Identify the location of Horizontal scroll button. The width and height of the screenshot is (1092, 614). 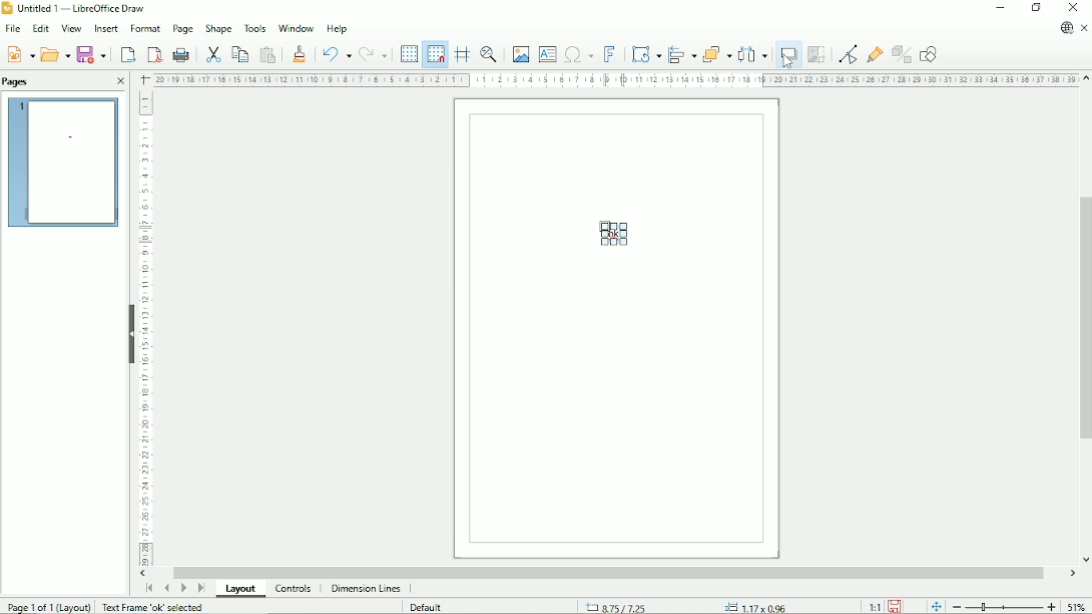
(143, 574).